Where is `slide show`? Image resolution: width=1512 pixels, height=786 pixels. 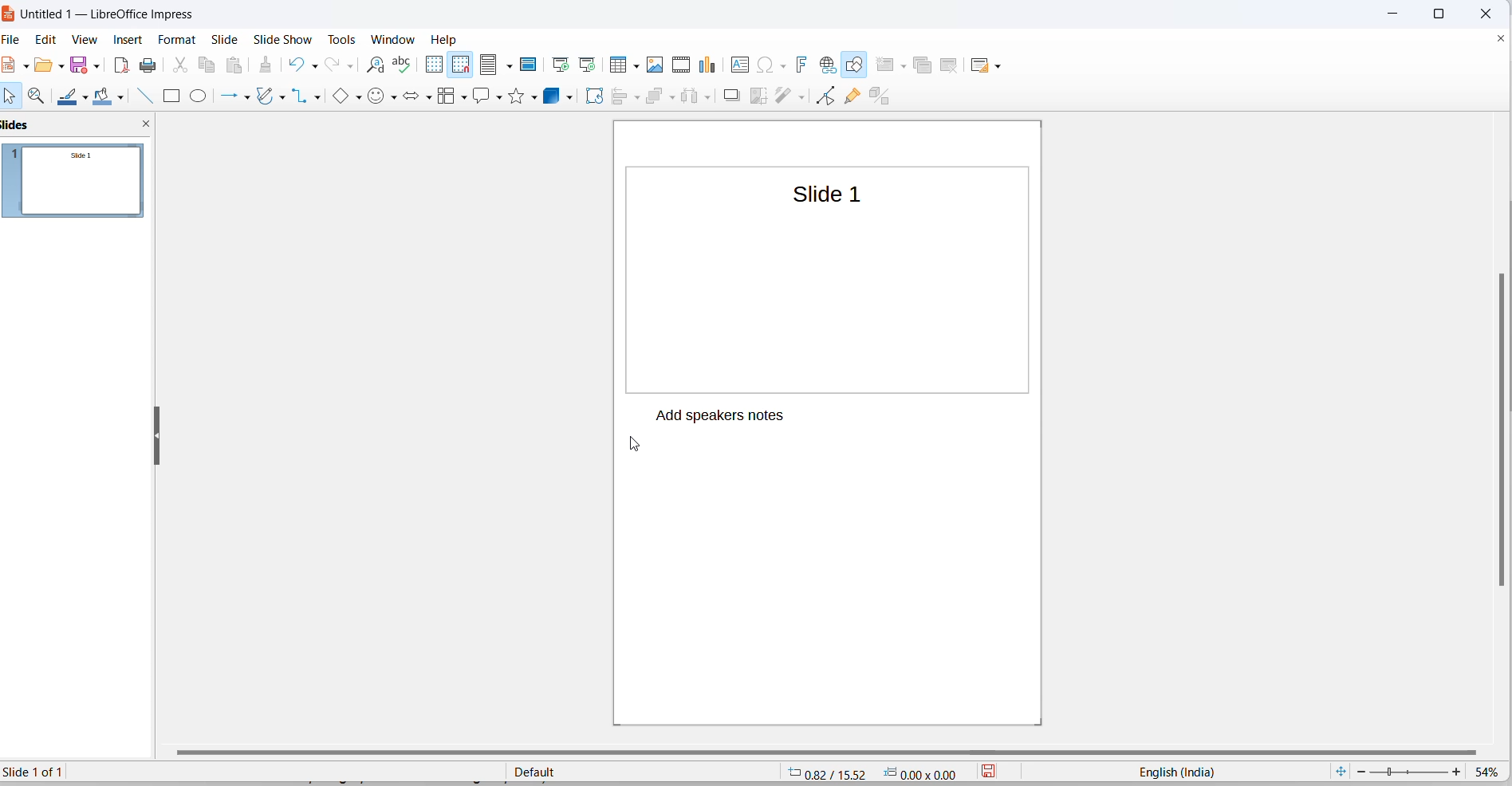 slide show is located at coordinates (283, 40).